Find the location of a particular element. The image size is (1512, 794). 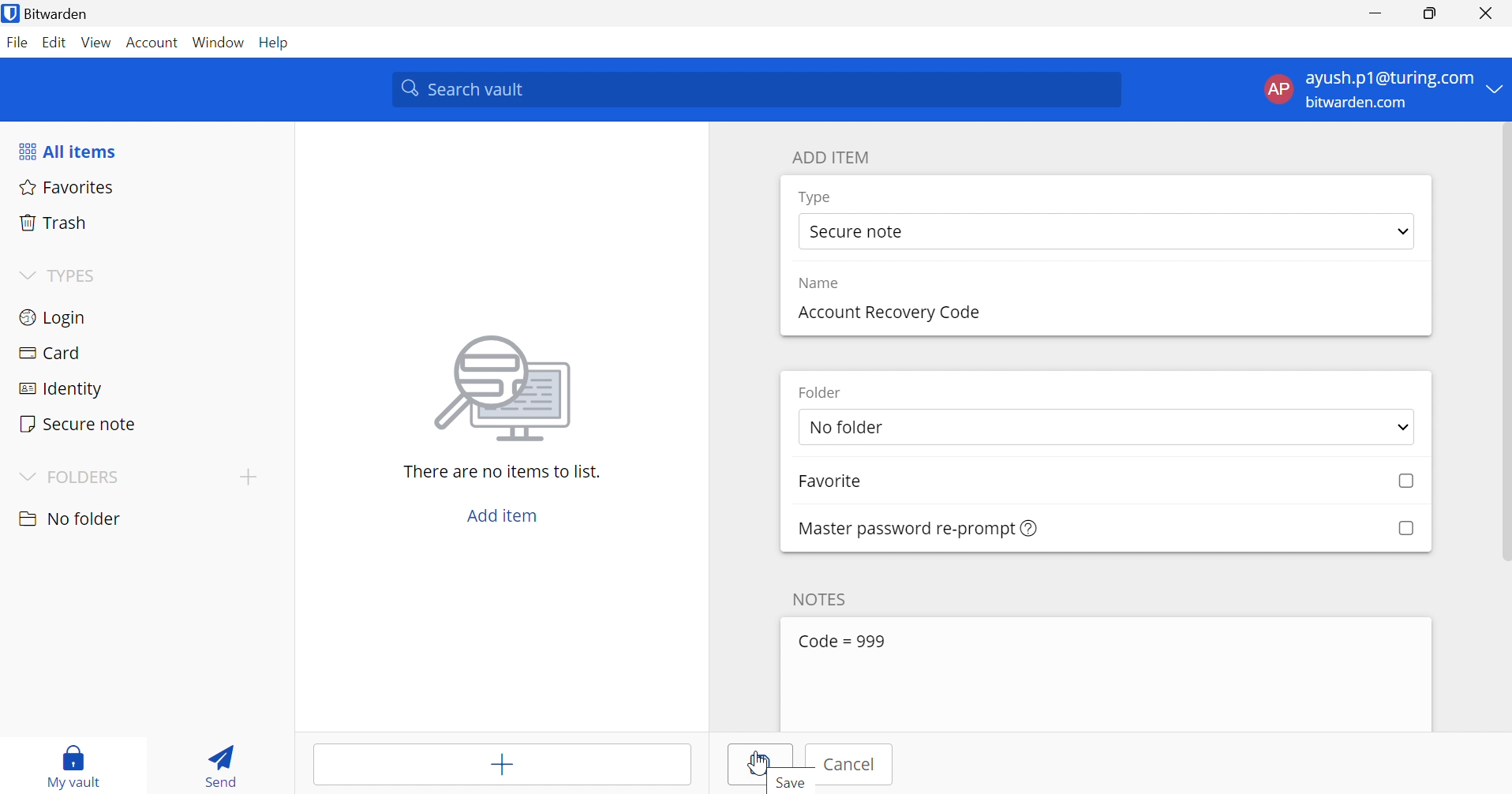

FOLDERS is located at coordinates (89, 477).